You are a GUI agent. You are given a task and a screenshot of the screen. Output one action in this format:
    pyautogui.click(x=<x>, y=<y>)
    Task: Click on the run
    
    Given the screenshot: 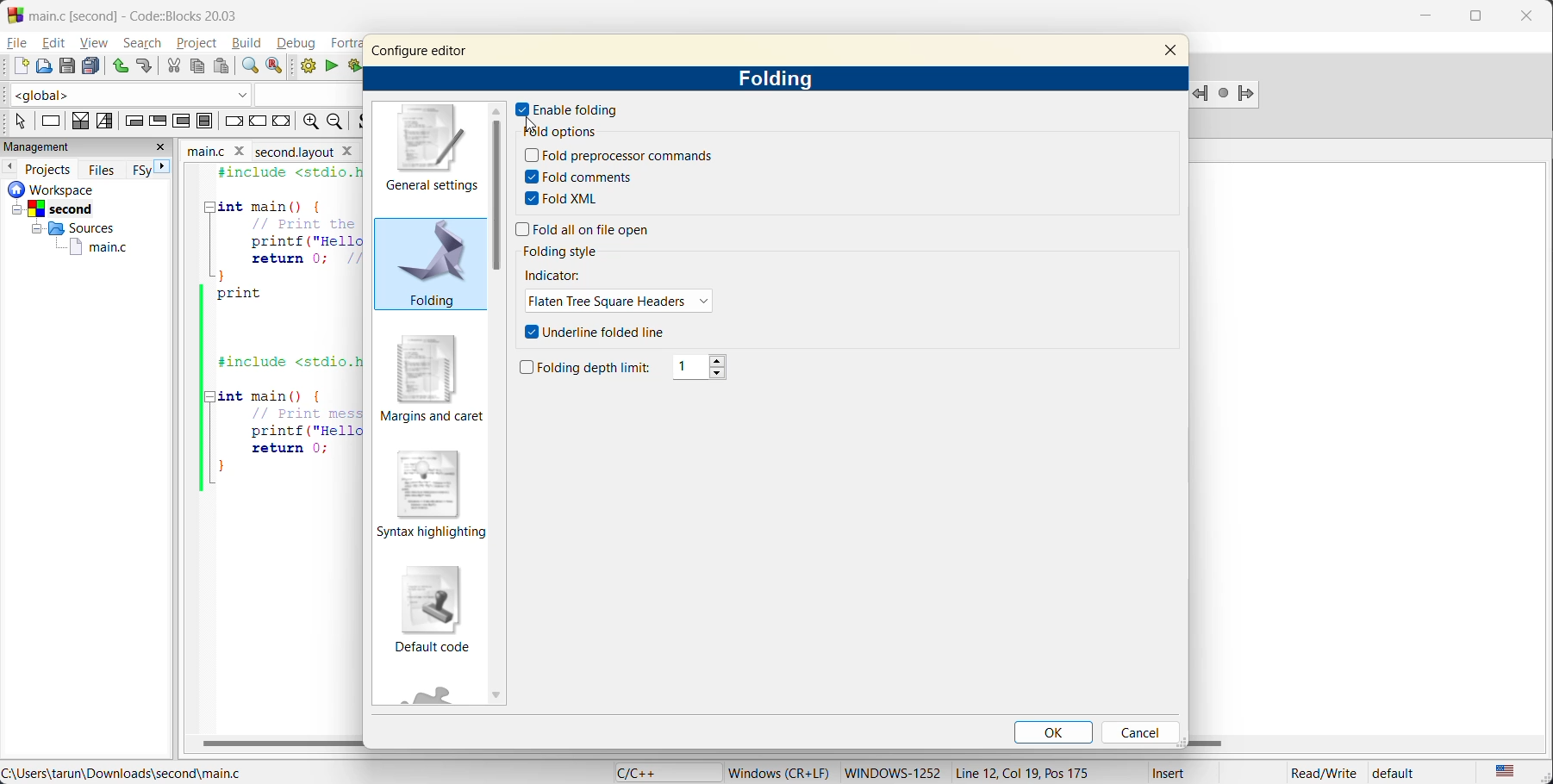 What is the action you would take?
    pyautogui.click(x=332, y=65)
    